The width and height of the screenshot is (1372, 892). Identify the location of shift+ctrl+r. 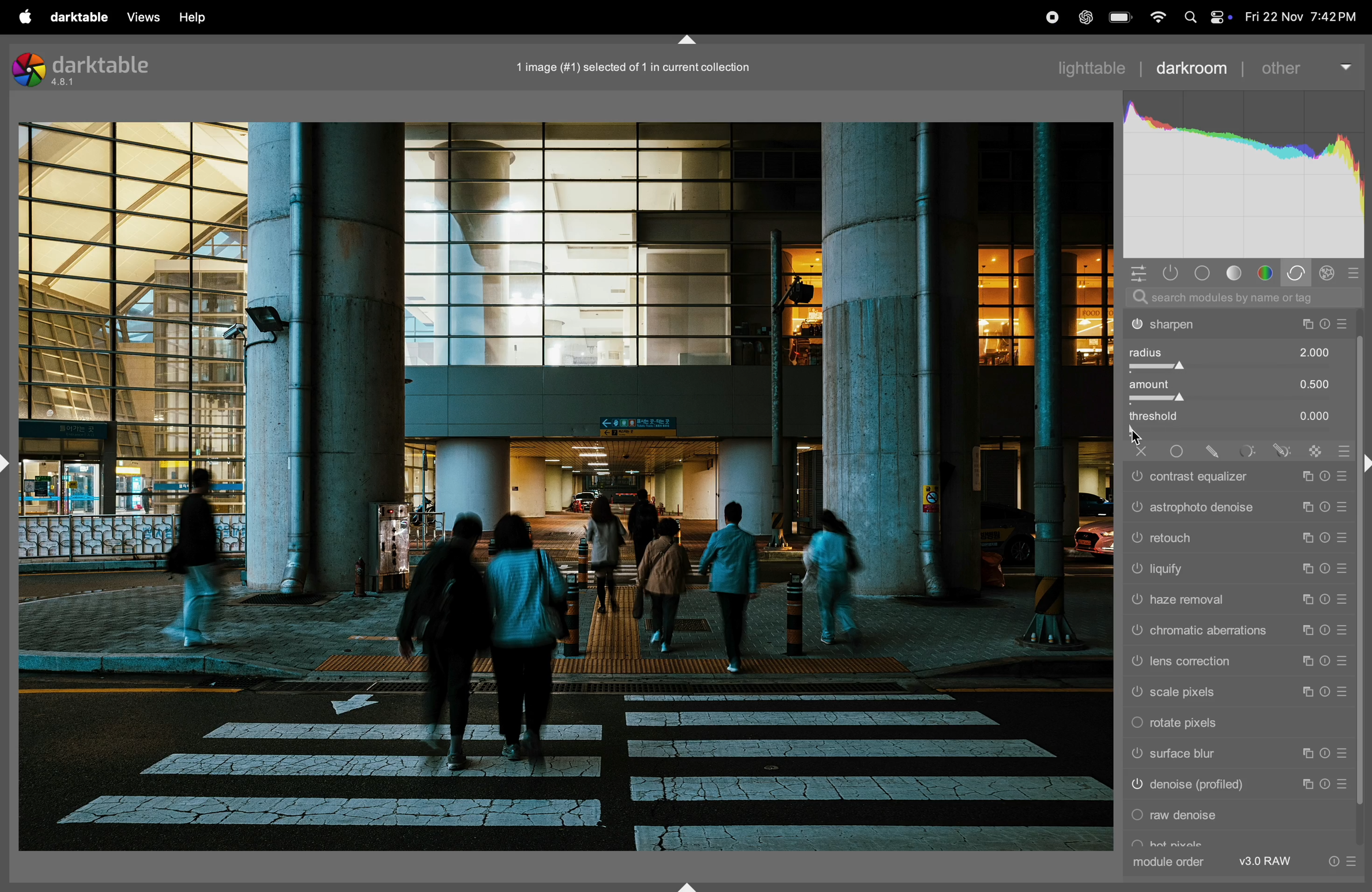
(1364, 462).